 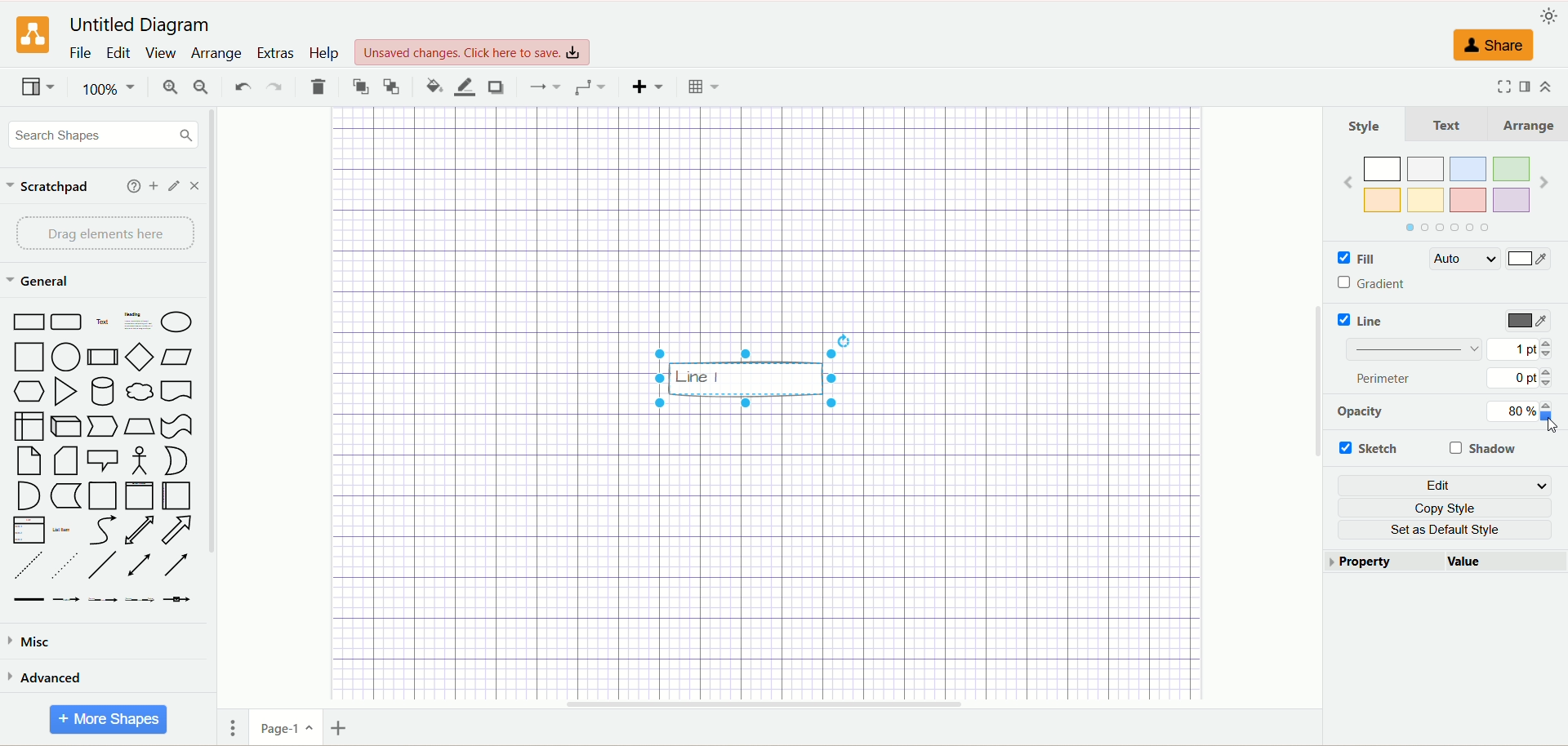 What do you see at coordinates (136, 321) in the screenshot?
I see `Textbox` at bounding box center [136, 321].